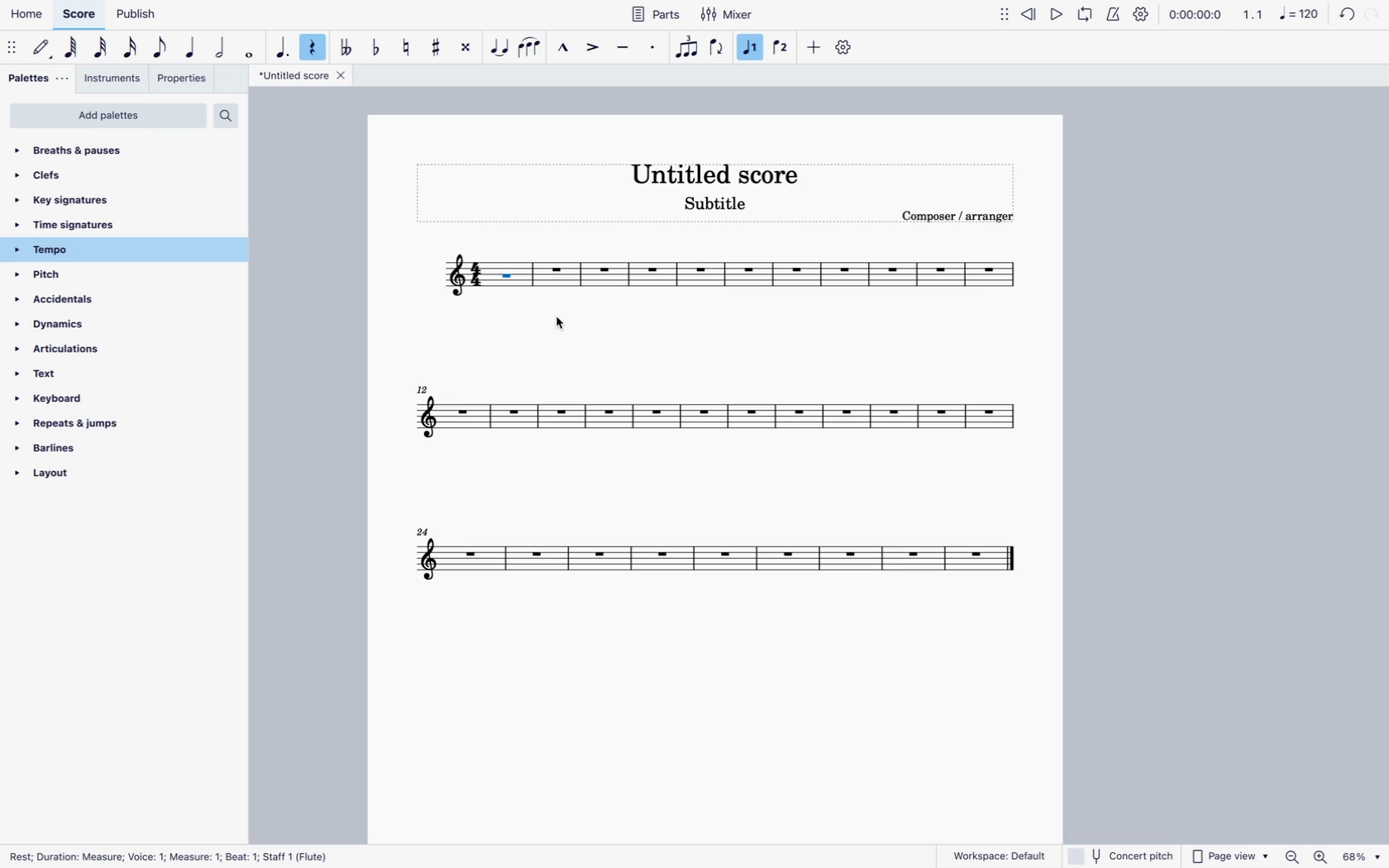  Describe the element at coordinates (1230, 855) in the screenshot. I see `page view` at that location.